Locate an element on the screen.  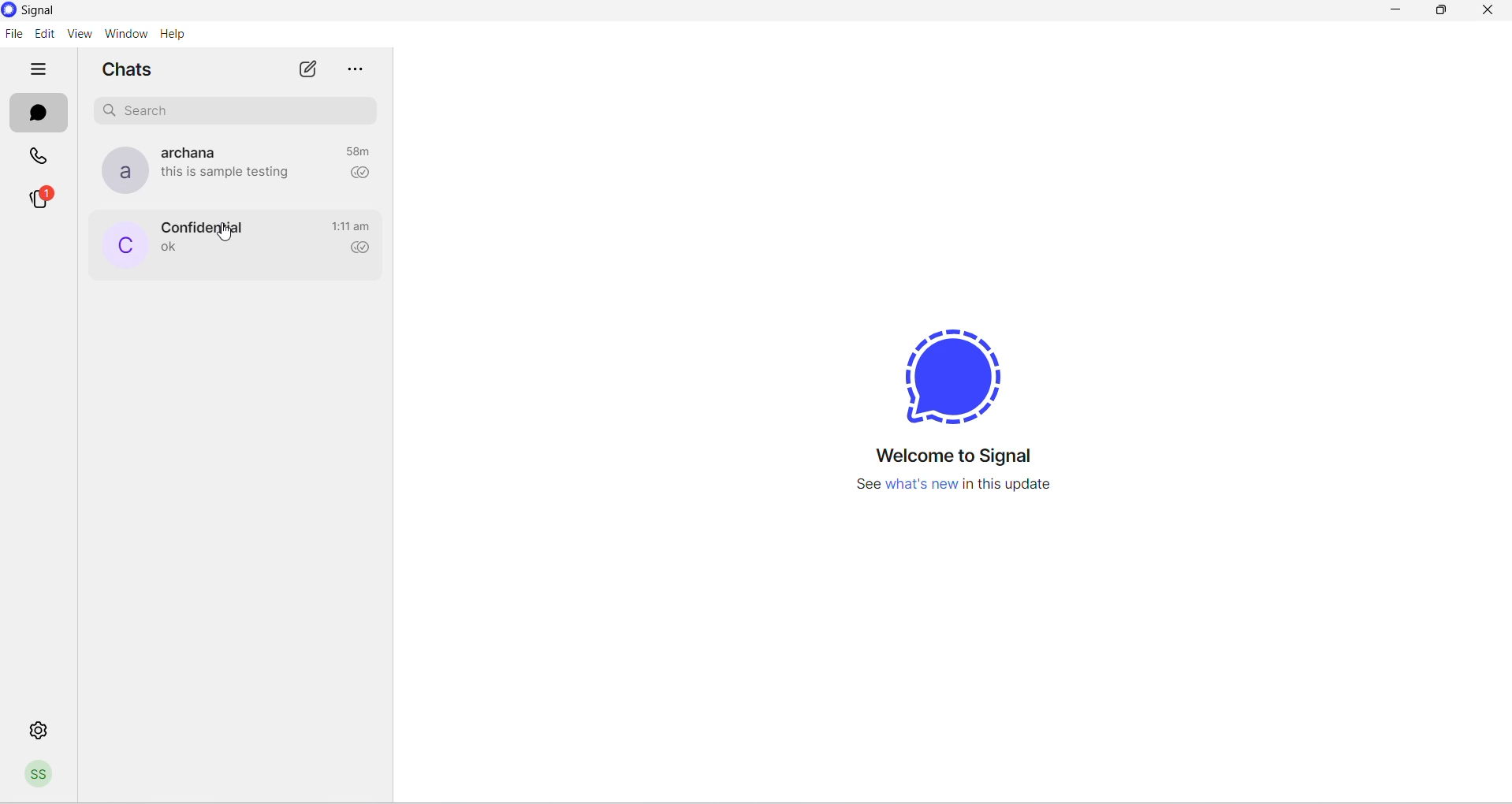
stories is located at coordinates (43, 198).